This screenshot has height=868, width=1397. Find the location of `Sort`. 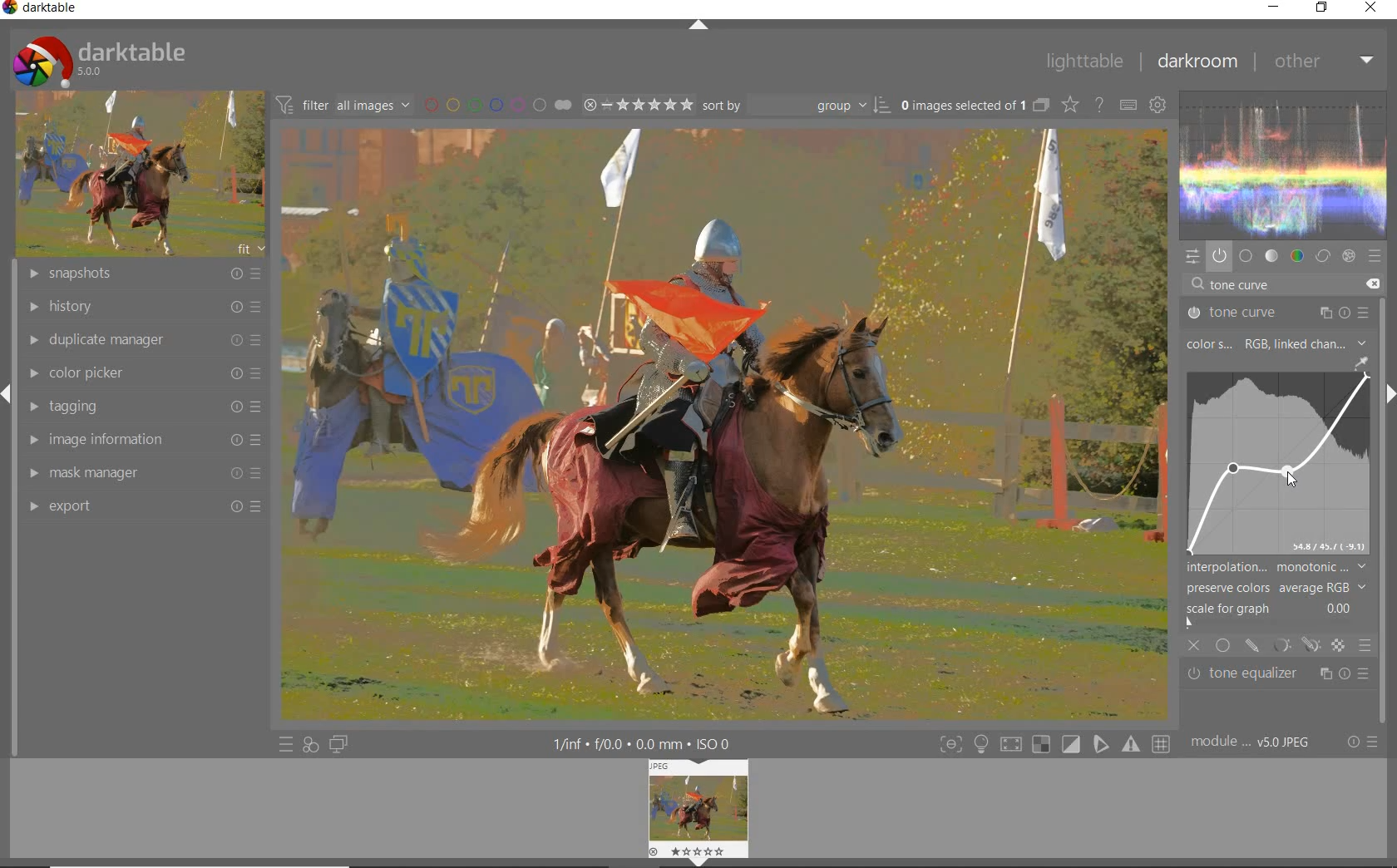

Sort is located at coordinates (796, 105).